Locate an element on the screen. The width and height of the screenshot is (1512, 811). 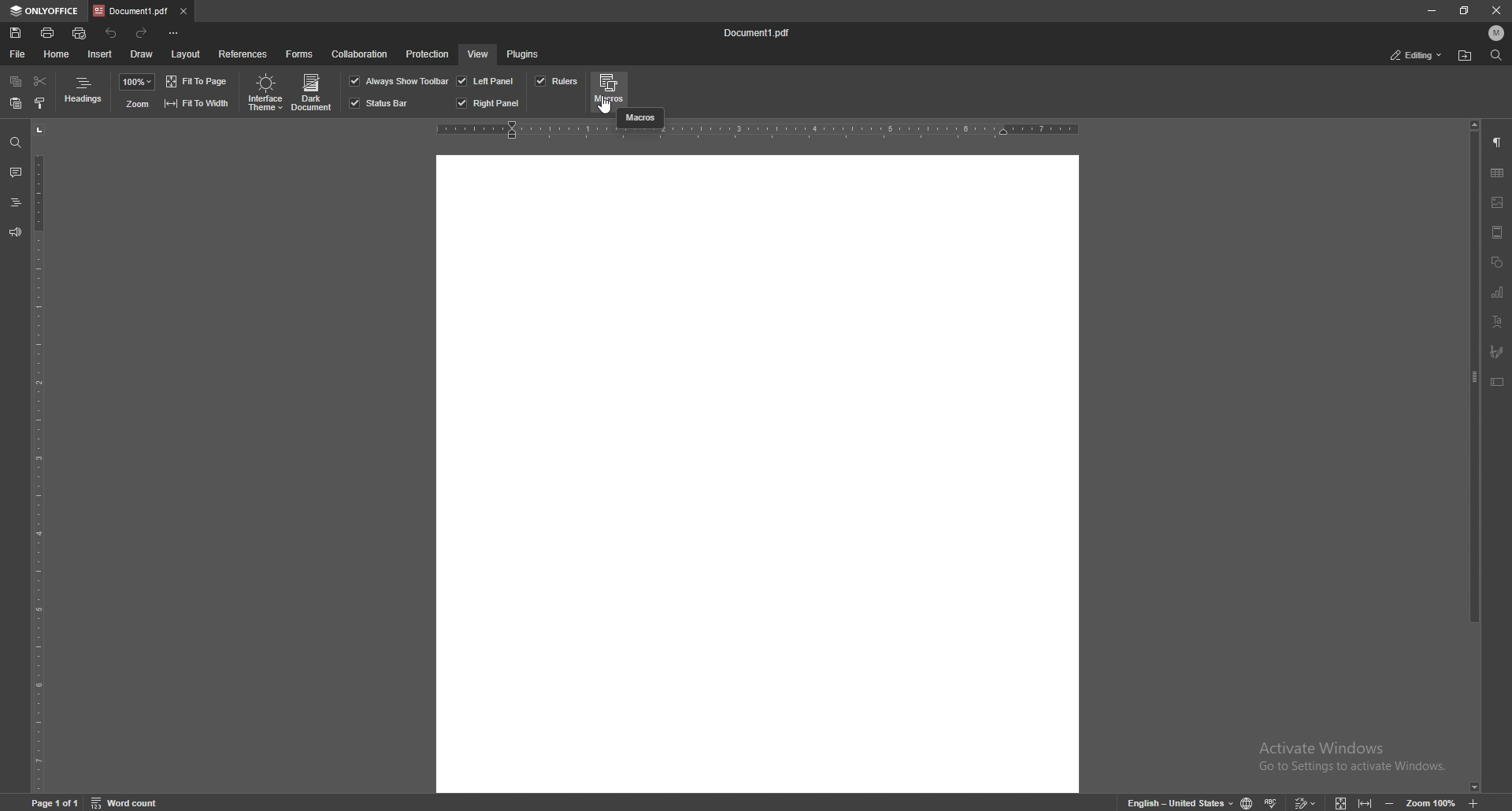
dark document is located at coordinates (313, 93).